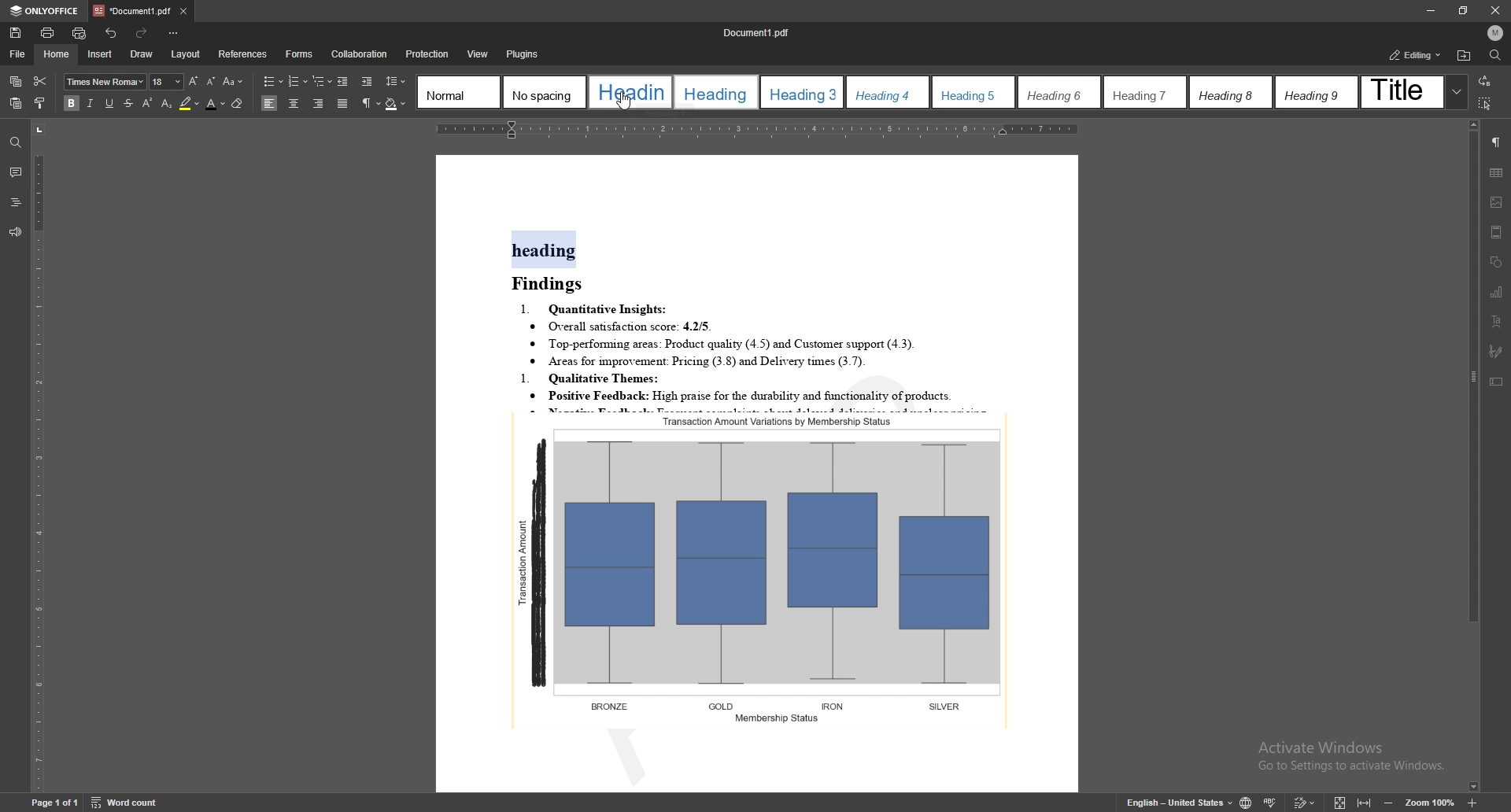  I want to click on customize toolbar, so click(175, 34).